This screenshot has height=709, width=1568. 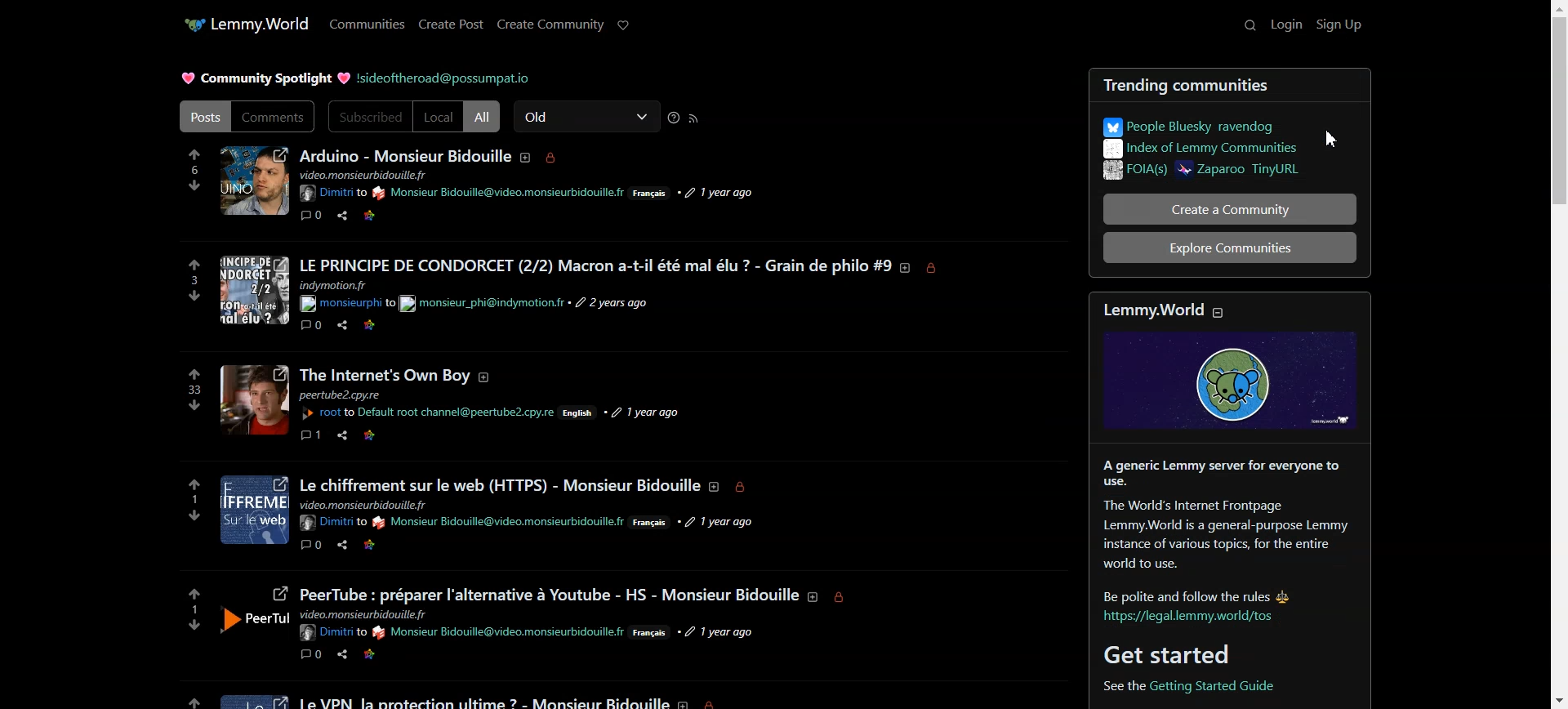 What do you see at coordinates (254, 291) in the screenshot?
I see `profile picture` at bounding box center [254, 291].